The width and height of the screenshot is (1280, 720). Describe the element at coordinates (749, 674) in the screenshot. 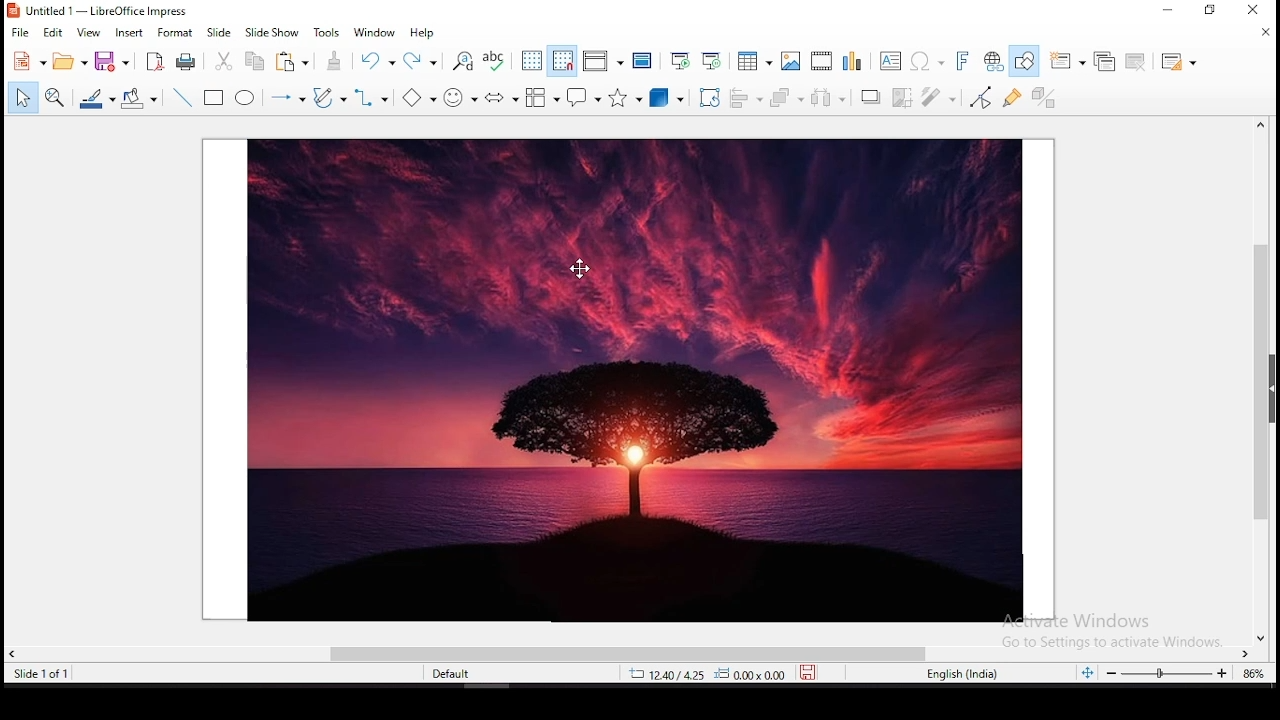

I see `0.00x0.00` at that location.